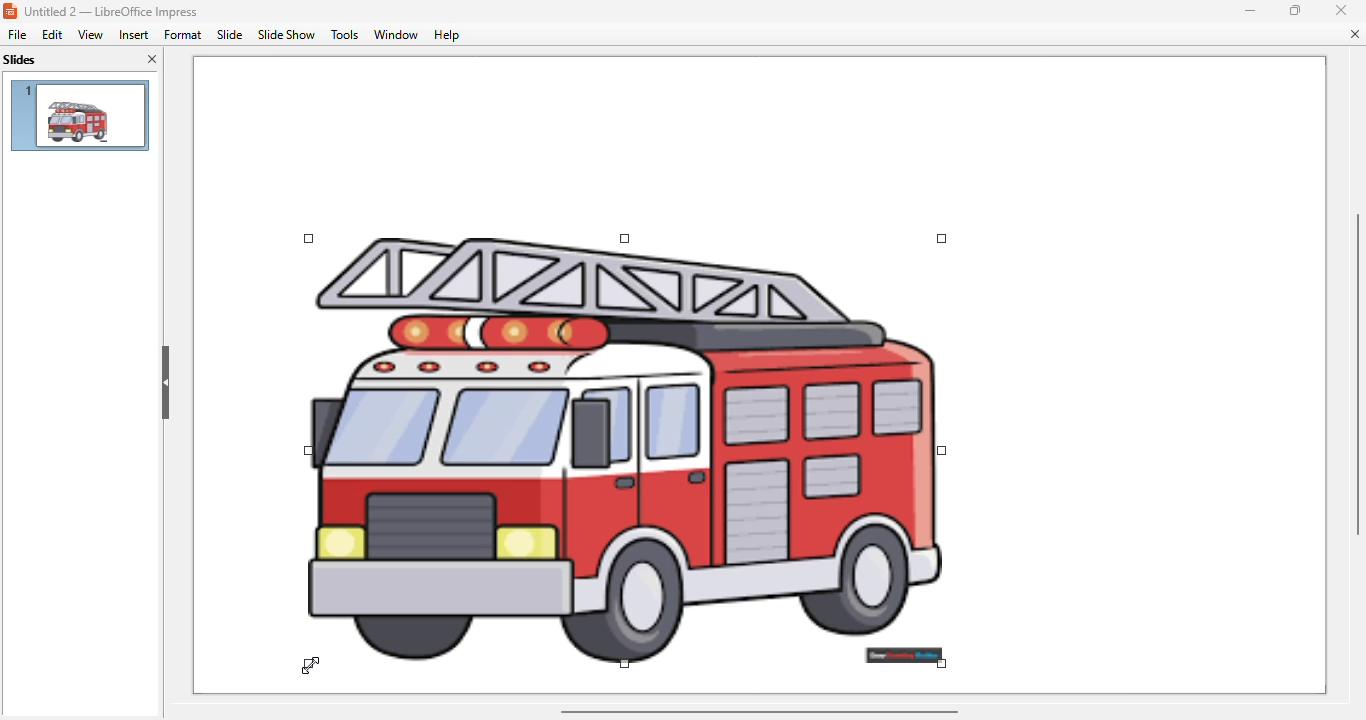  I want to click on slide show, so click(287, 34).